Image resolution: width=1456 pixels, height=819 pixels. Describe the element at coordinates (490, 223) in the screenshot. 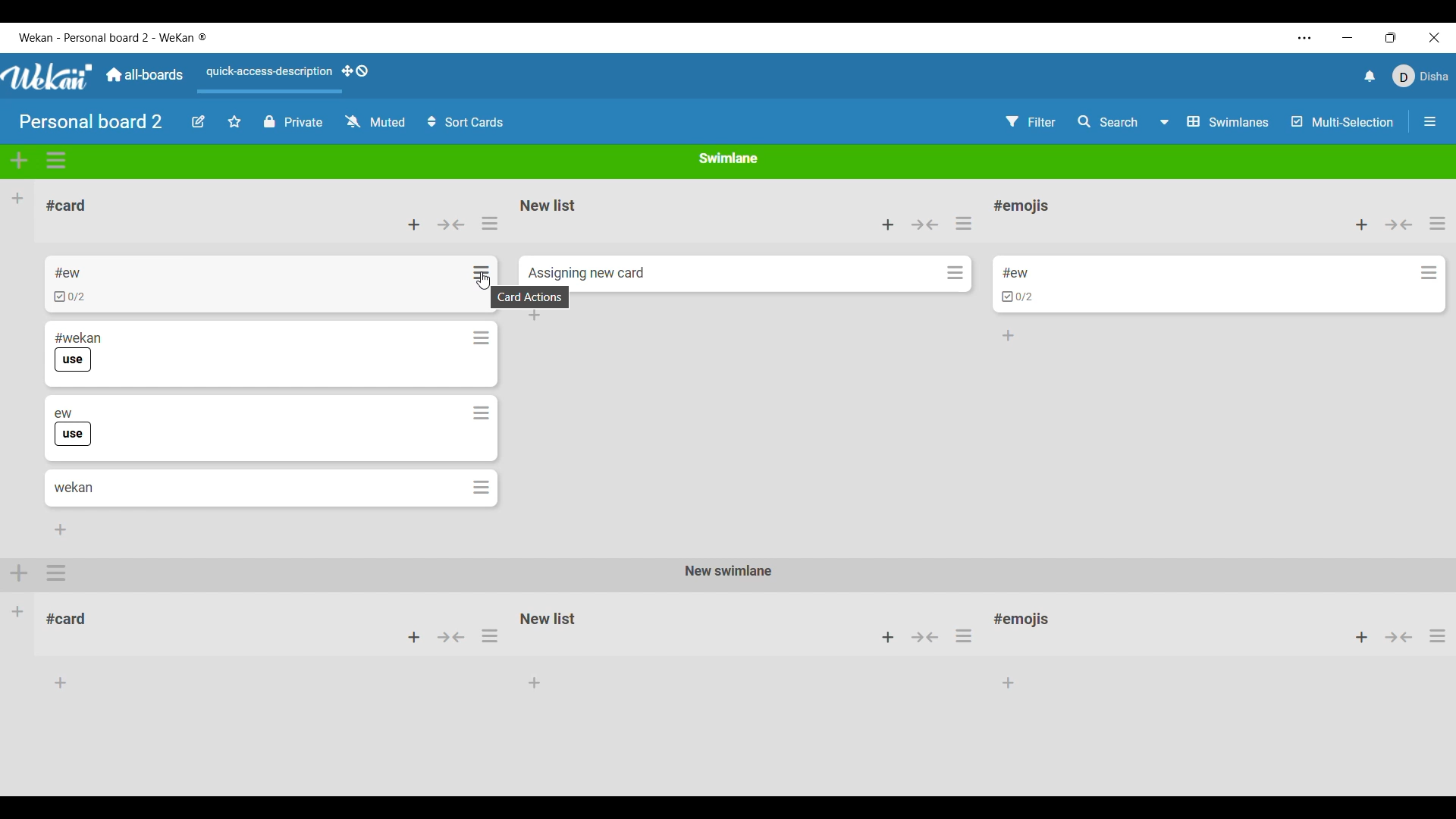

I see `List actions` at that location.